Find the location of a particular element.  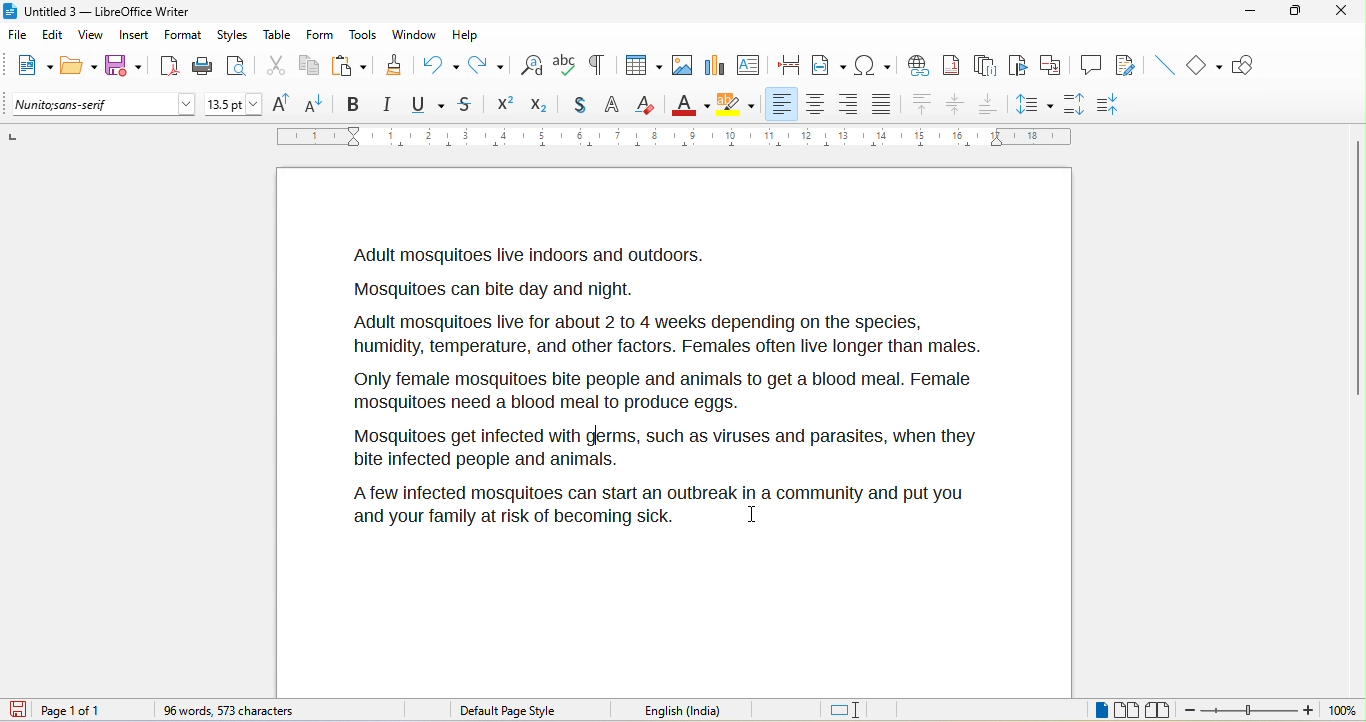

align center is located at coordinates (814, 105).